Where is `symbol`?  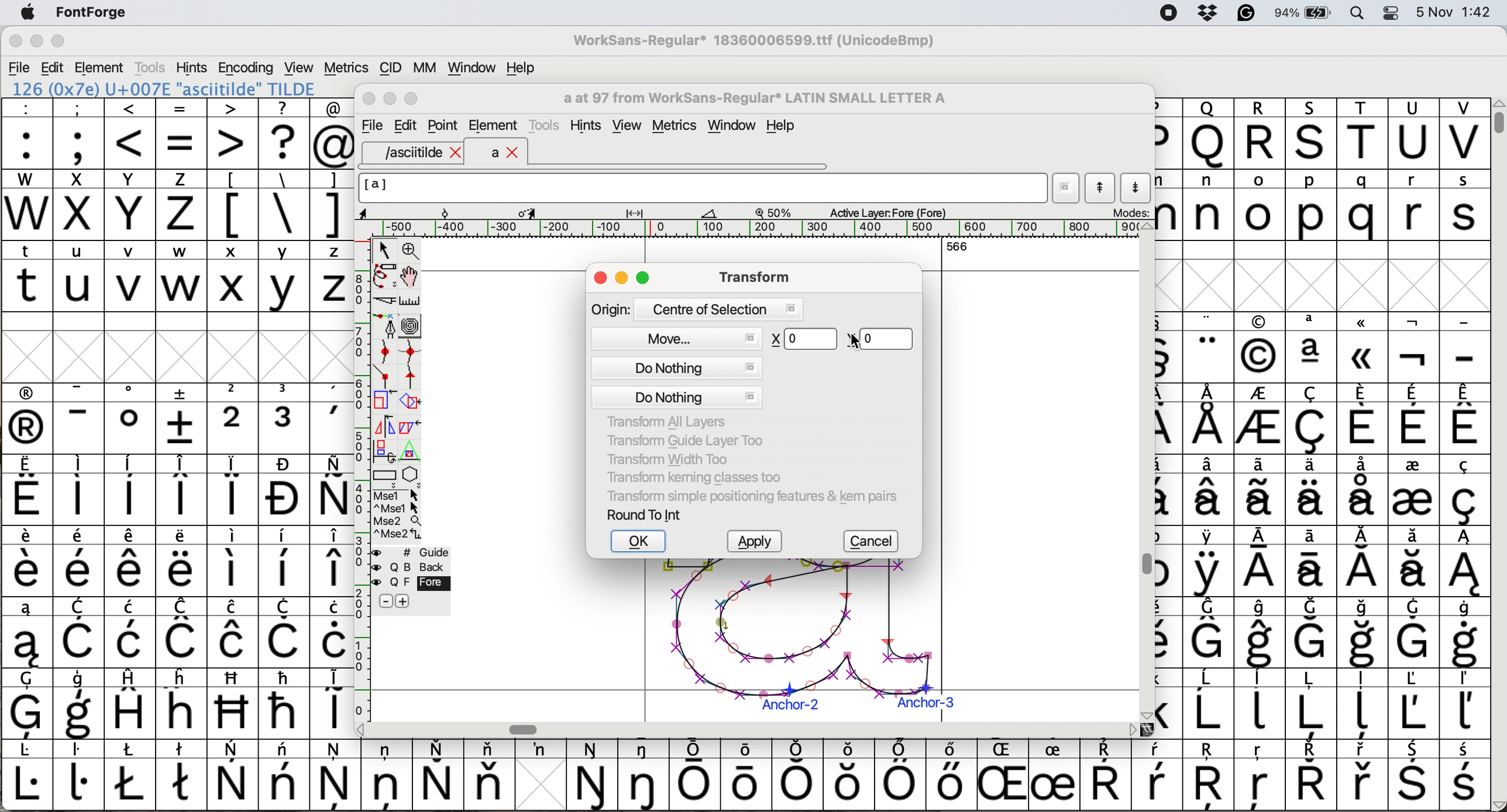
symbol is located at coordinates (183, 418).